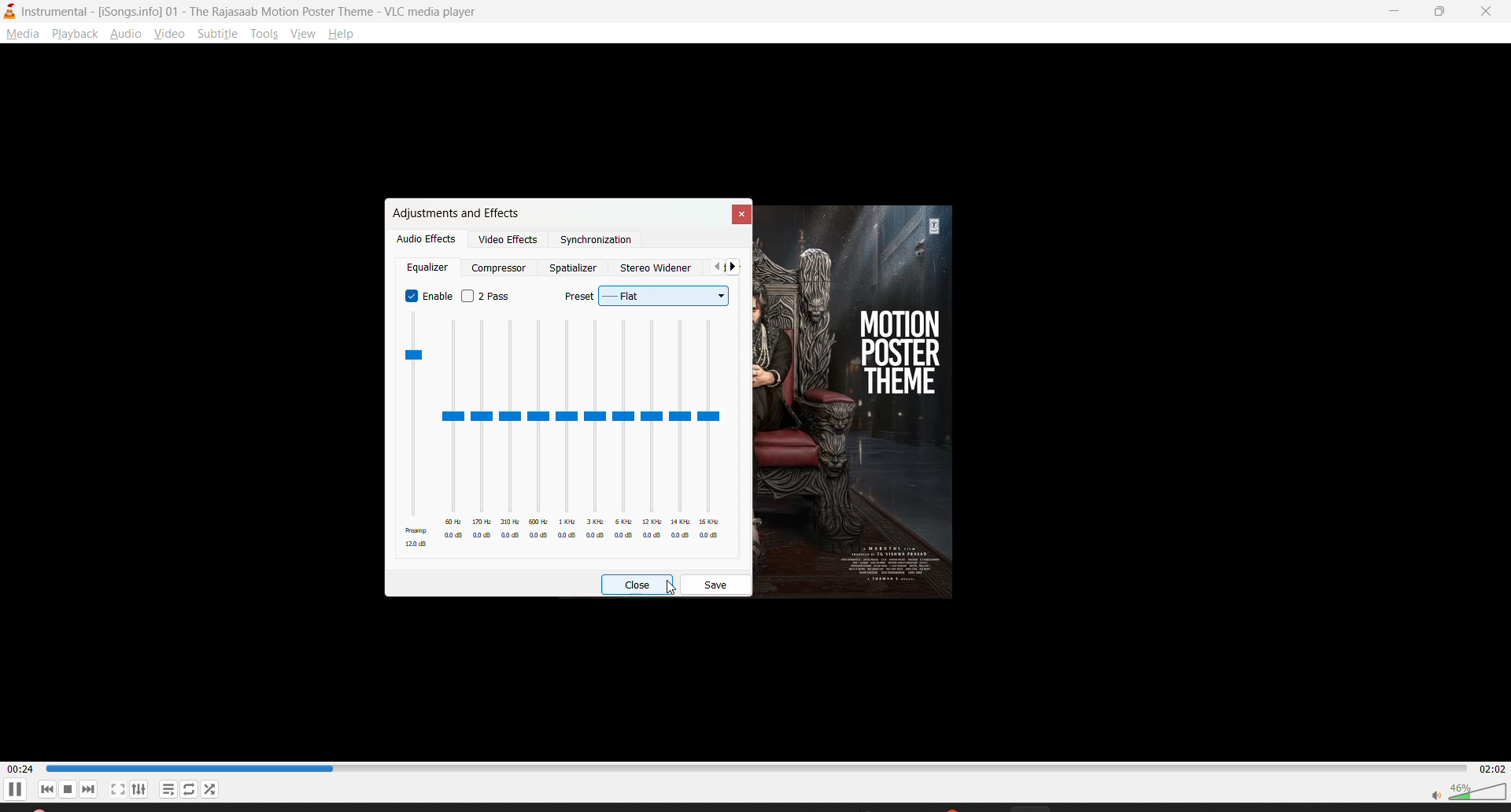  What do you see at coordinates (144, 788) in the screenshot?
I see `settings` at bounding box center [144, 788].